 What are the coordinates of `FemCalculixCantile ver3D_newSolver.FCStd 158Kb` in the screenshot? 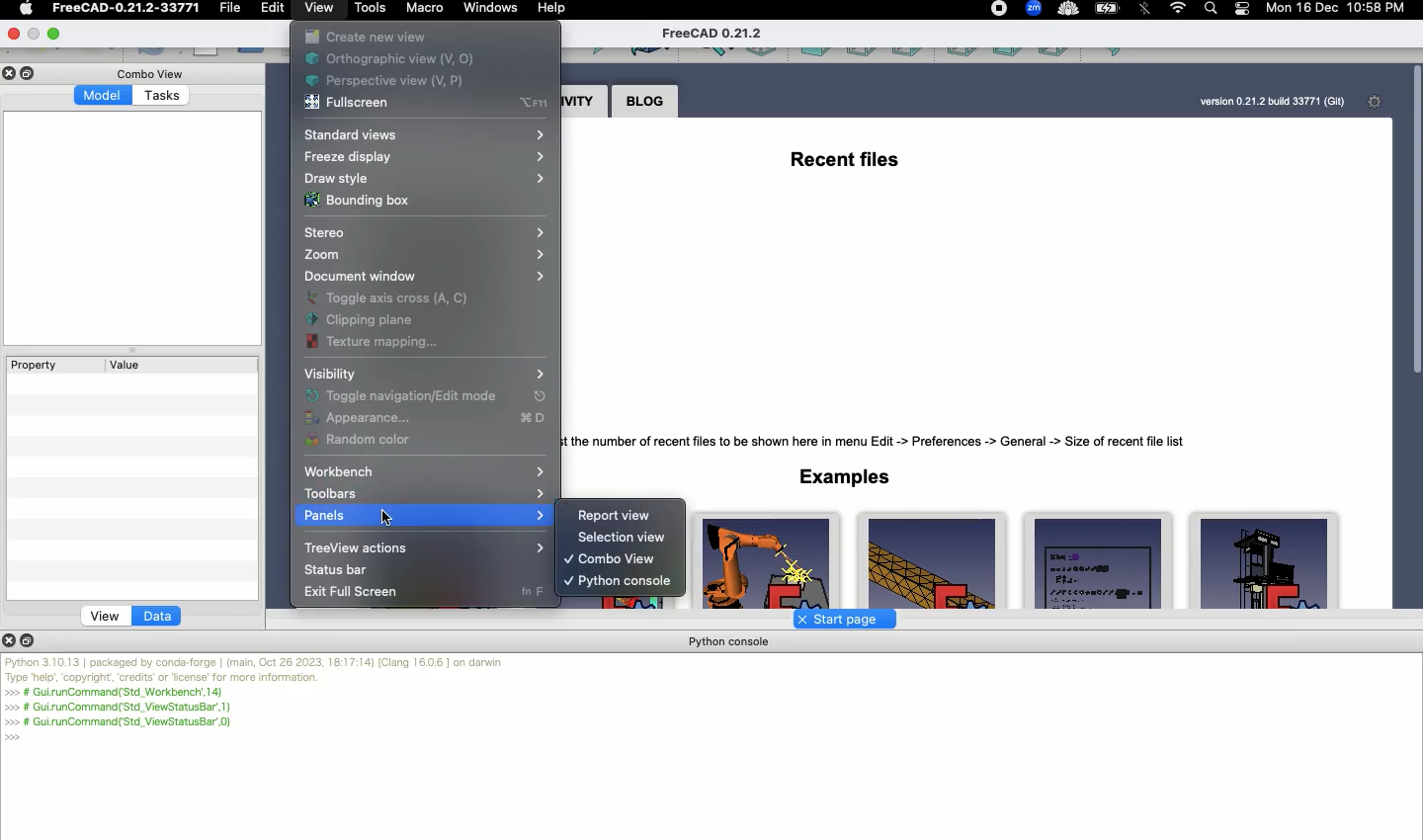 It's located at (932, 560).